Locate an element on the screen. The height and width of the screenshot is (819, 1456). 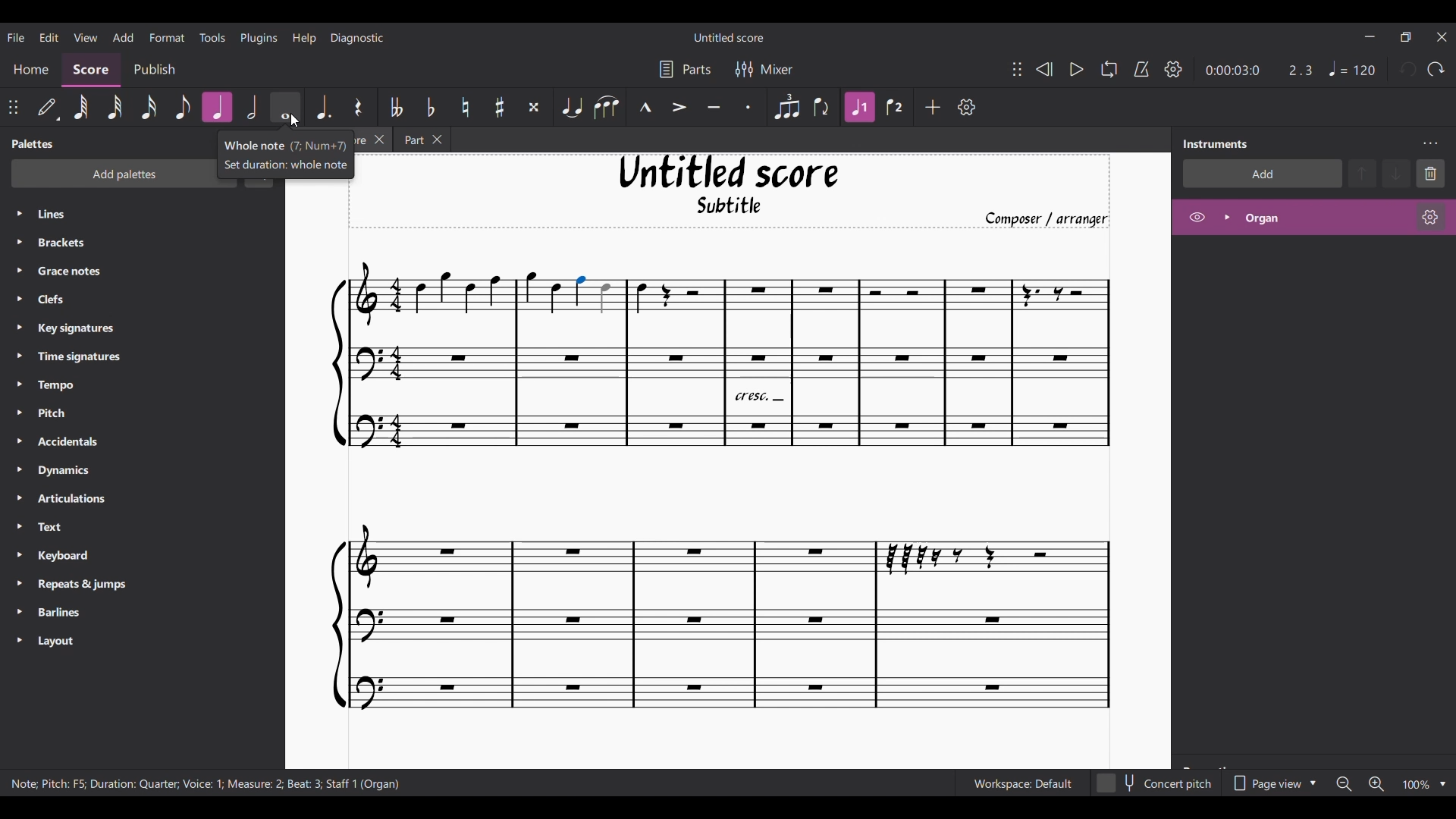
Expand is located at coordinates (1226, 217).